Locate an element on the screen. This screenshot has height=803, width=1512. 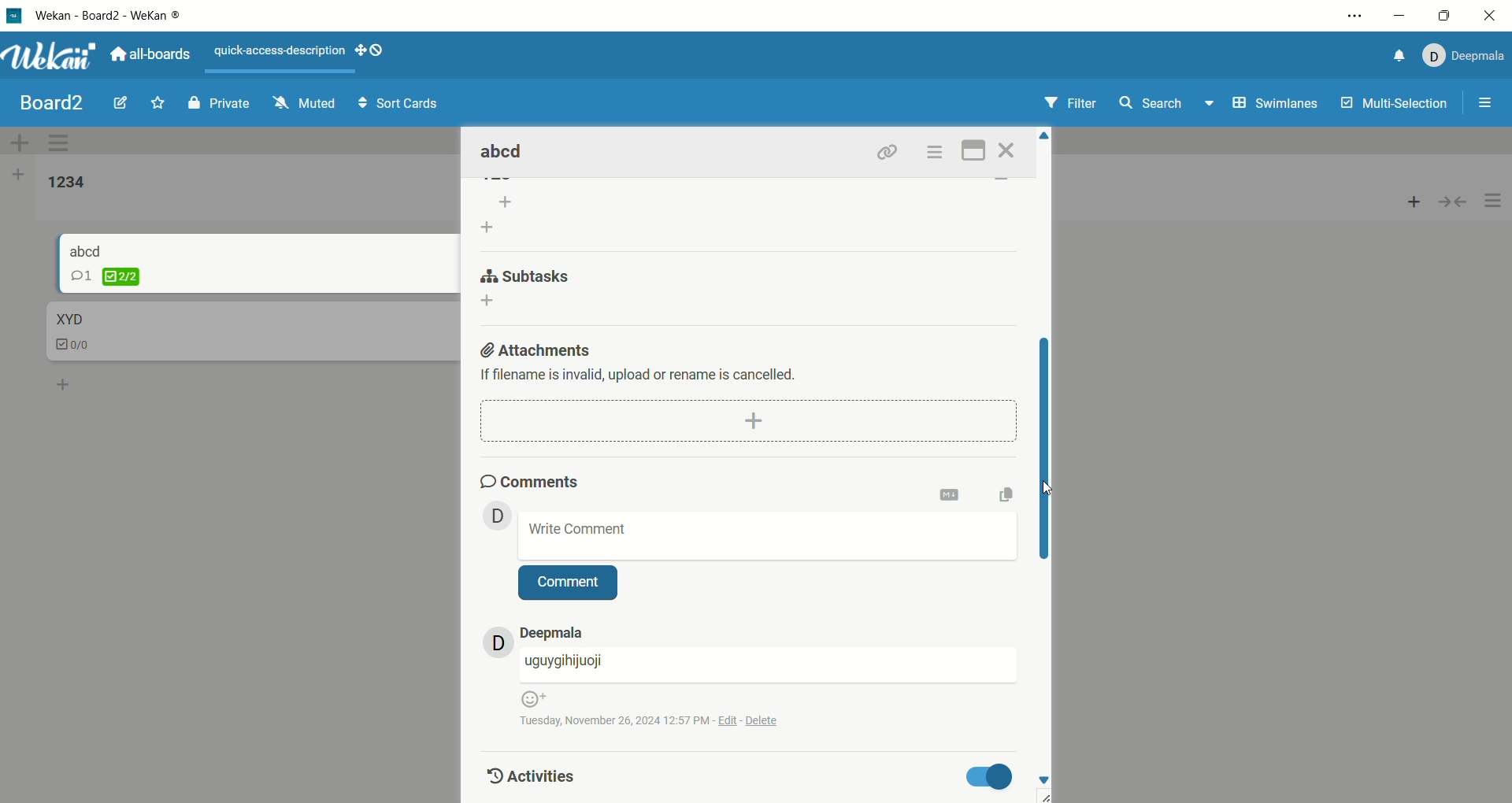
card title is located at coordinates (87, 250).